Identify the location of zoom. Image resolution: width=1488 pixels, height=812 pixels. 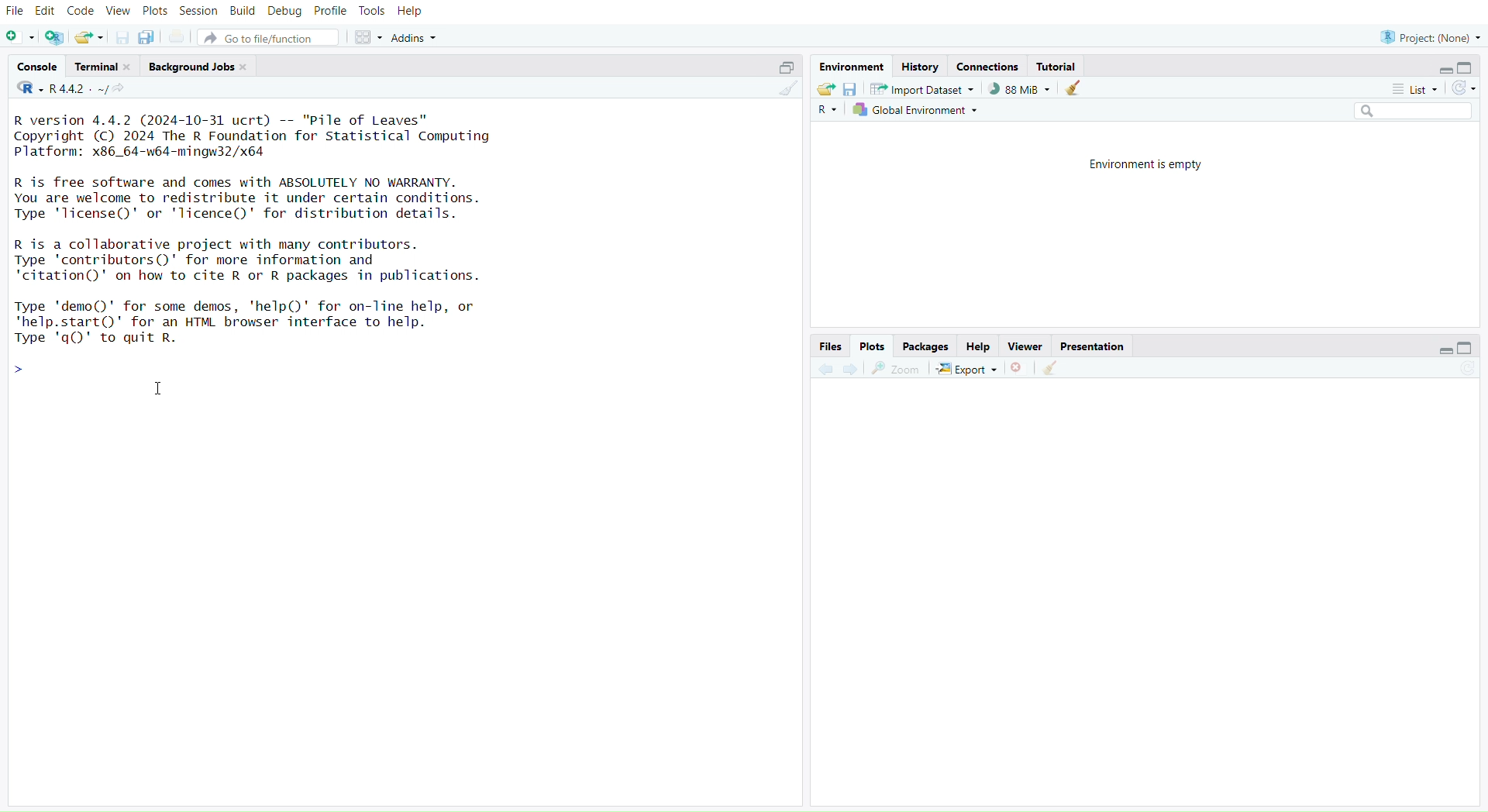
(897, 370).